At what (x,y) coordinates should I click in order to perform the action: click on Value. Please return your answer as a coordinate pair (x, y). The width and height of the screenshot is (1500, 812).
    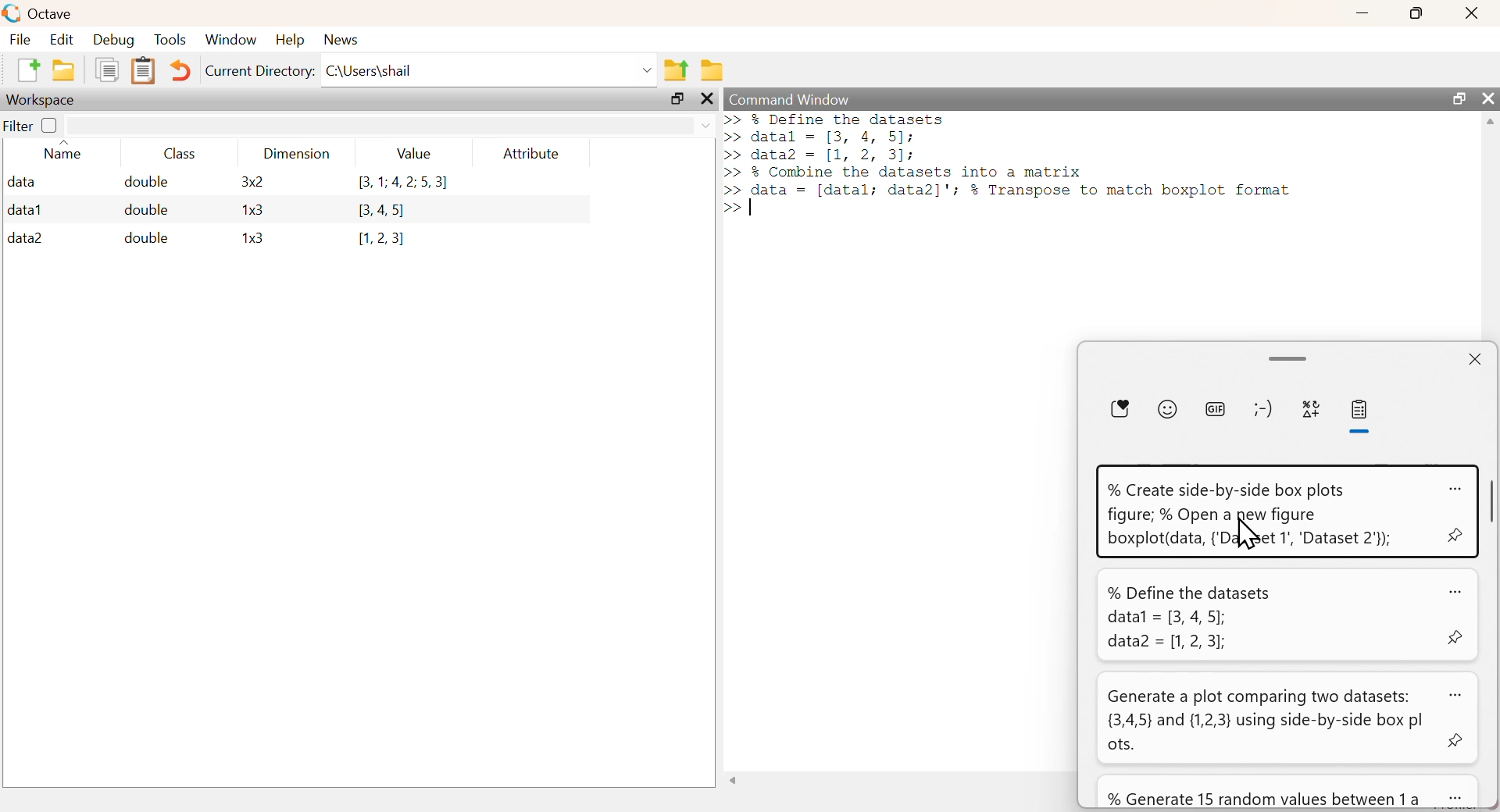
    Looking at the image, I should click on (420, 153).